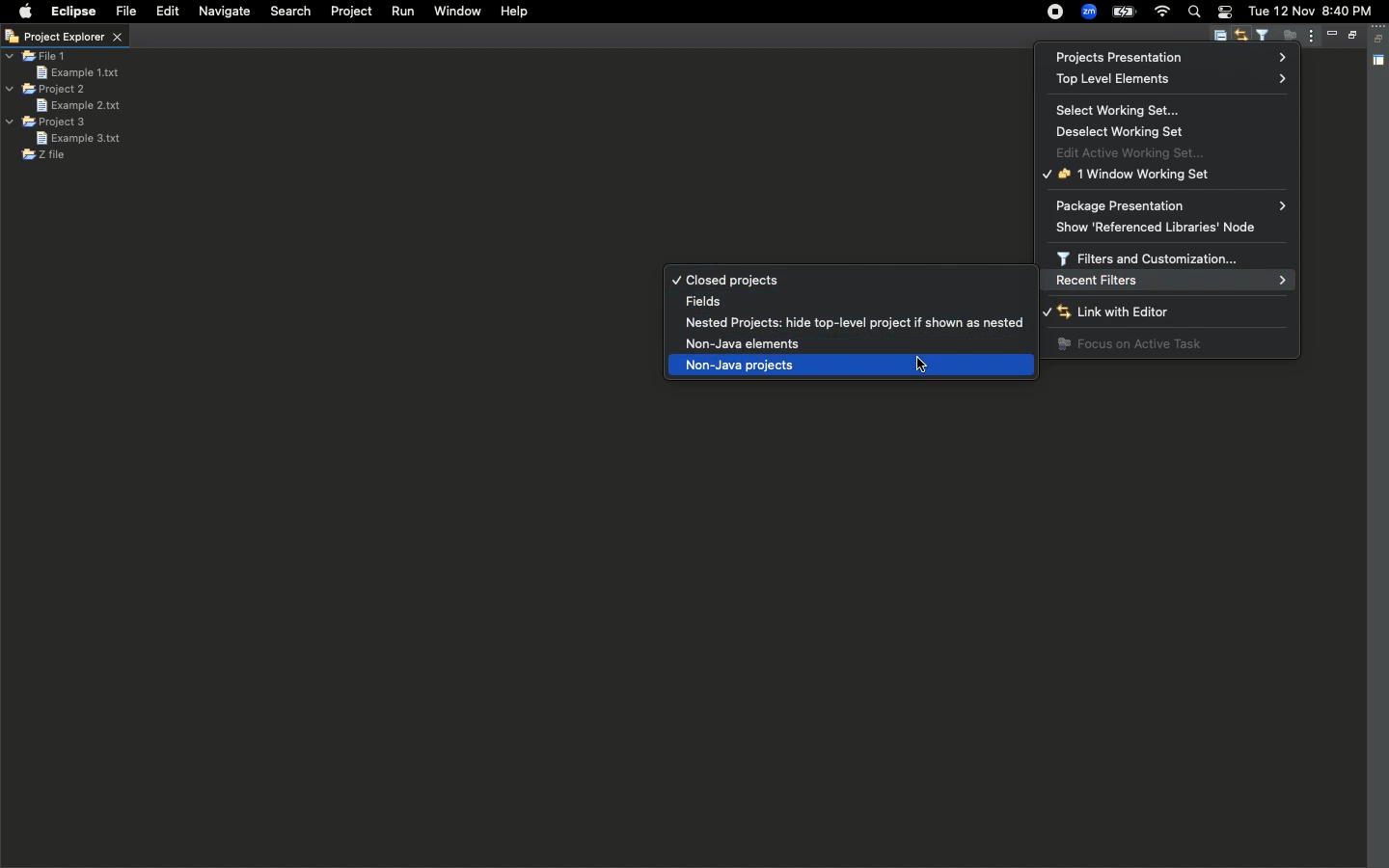  What do you see at coordinates (78, 138) in the screenshot?
I see `Example 3 text file` at bounding box center [78, 138].